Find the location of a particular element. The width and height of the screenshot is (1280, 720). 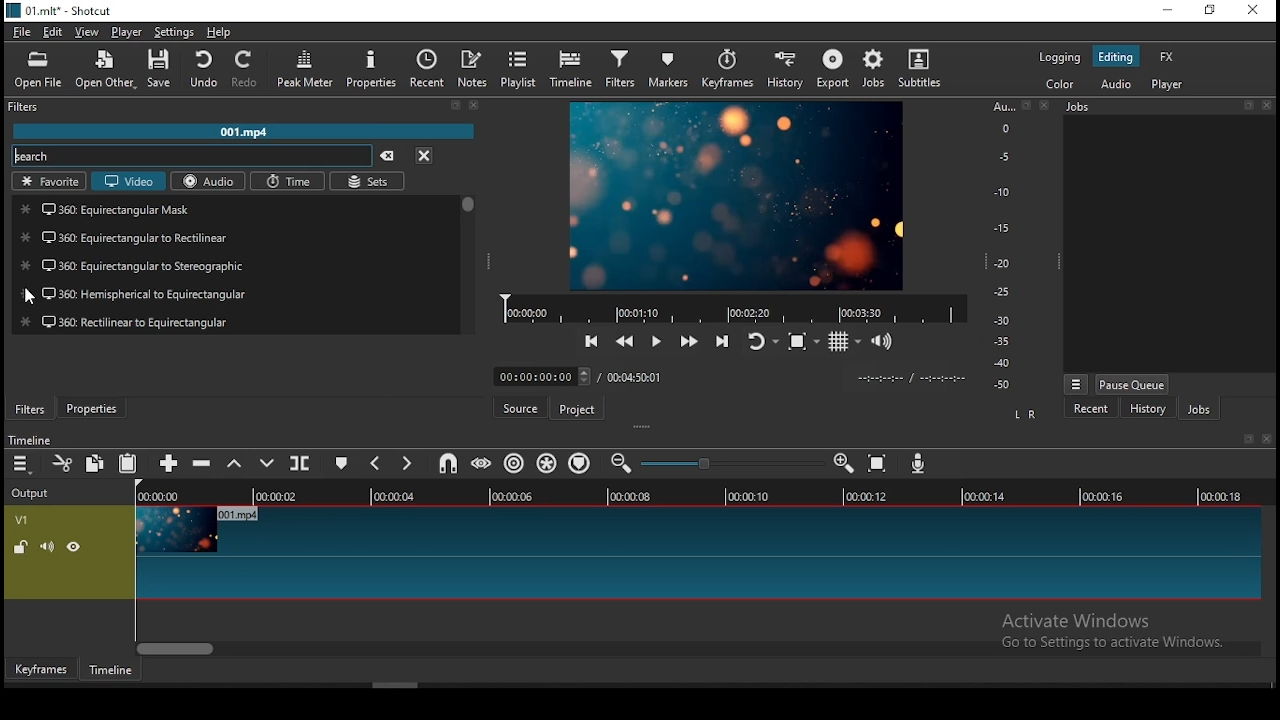

show volume control is located at coordinates (885, 340).